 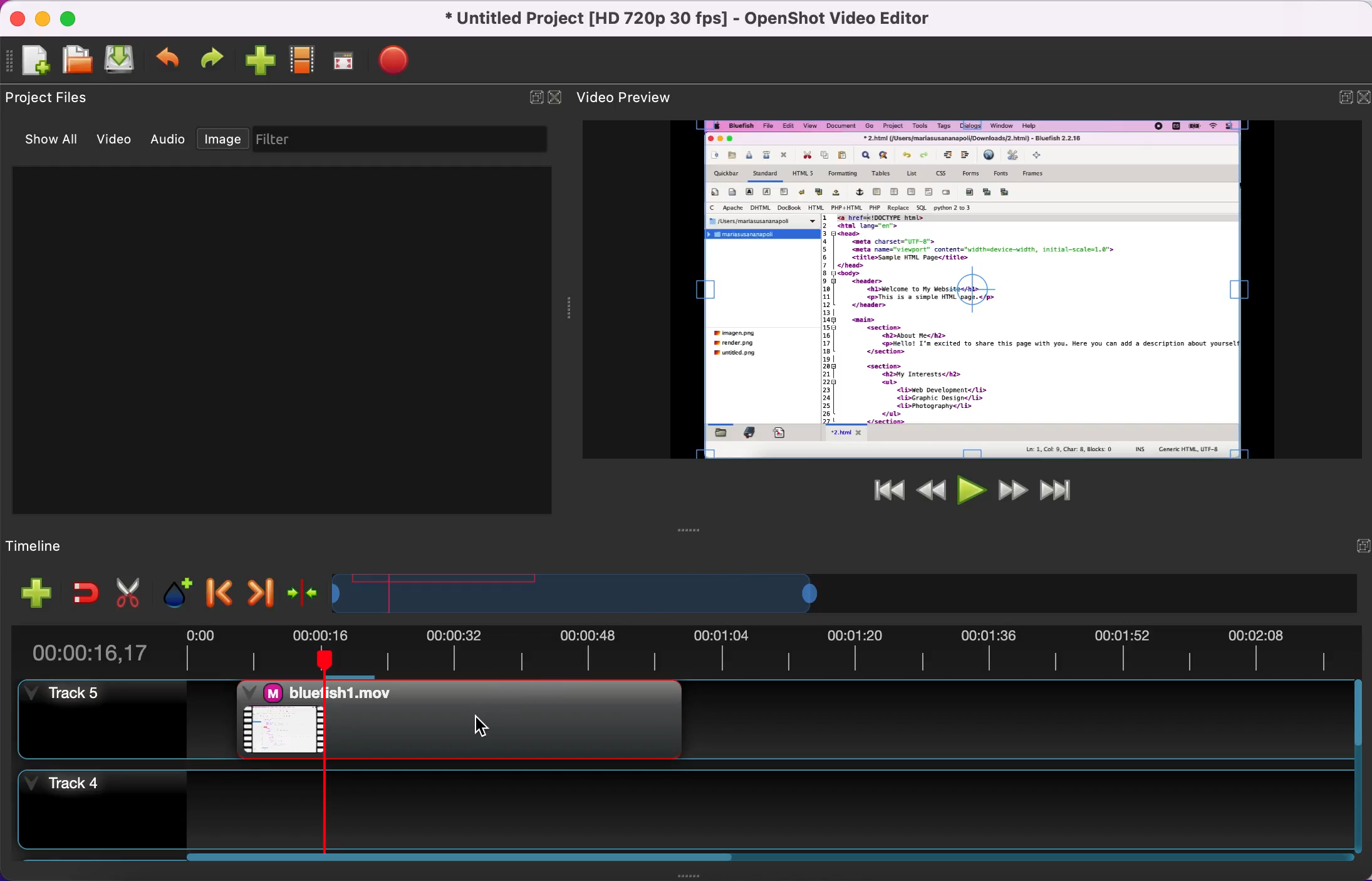 I want to click on scroll bar, so click(x=461, y=863).